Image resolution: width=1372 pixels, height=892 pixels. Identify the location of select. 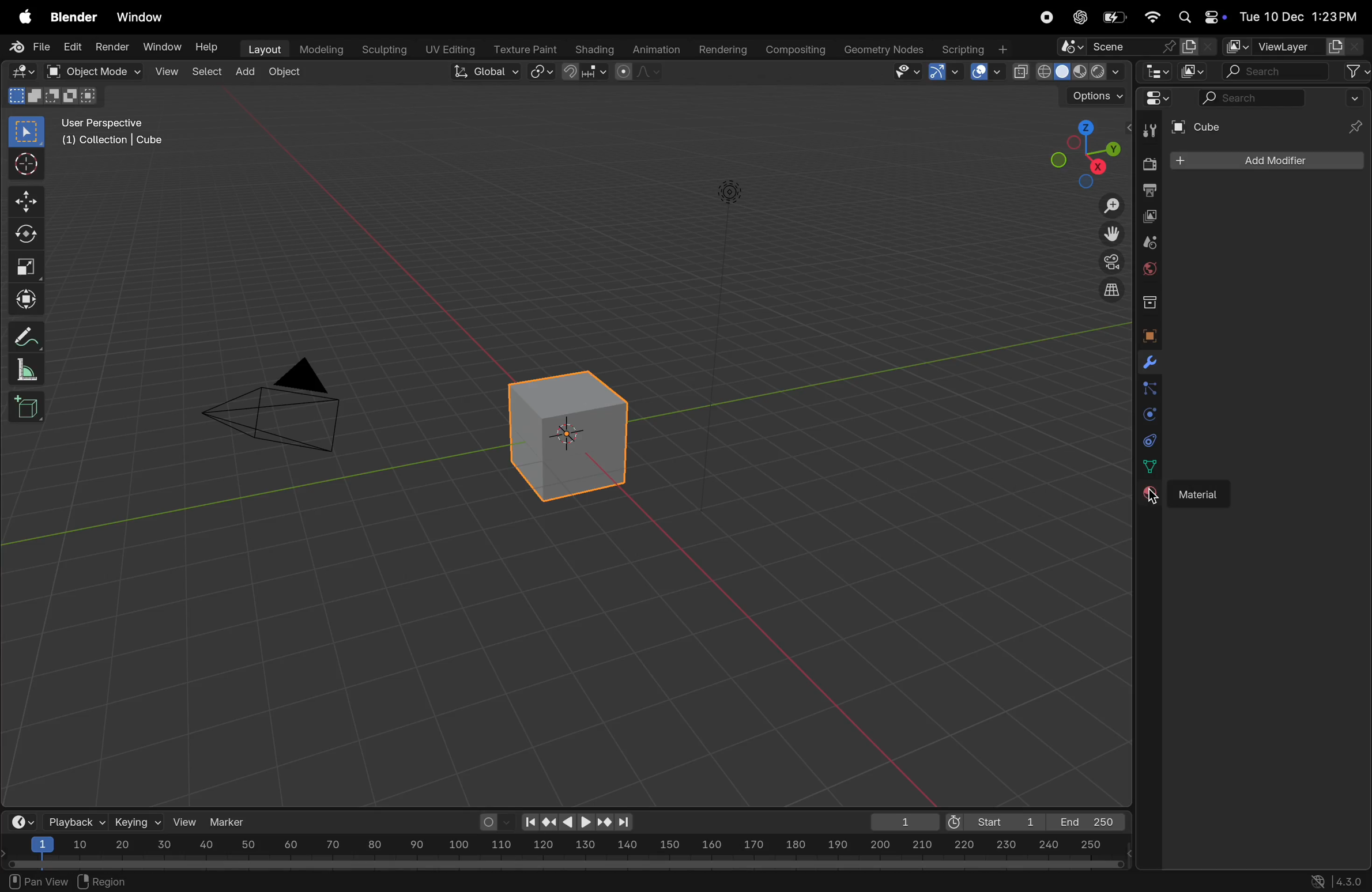
(28, 132).